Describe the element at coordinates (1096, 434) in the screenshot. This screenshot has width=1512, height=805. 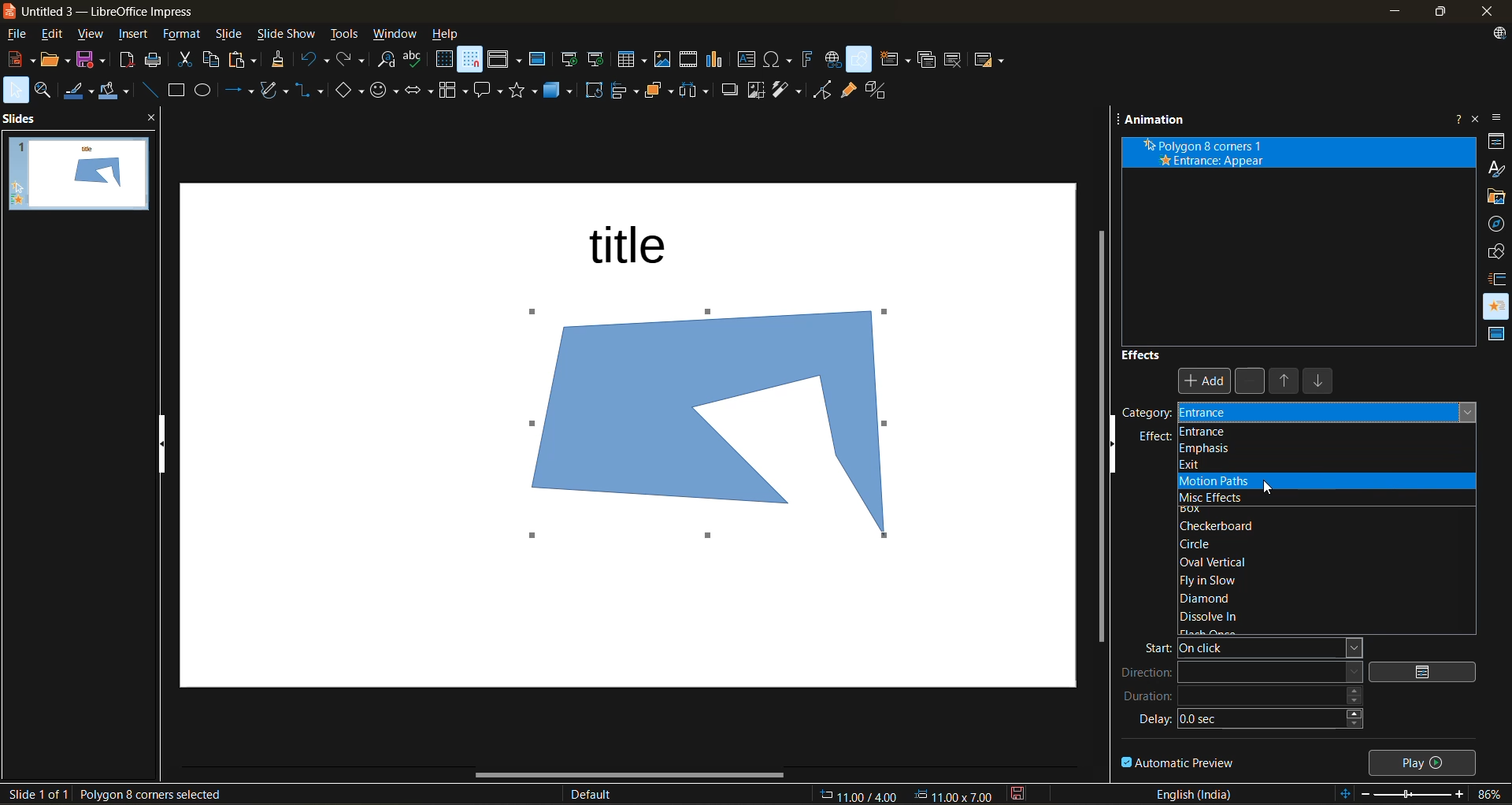
I see `vertical scroll bar` at that location.